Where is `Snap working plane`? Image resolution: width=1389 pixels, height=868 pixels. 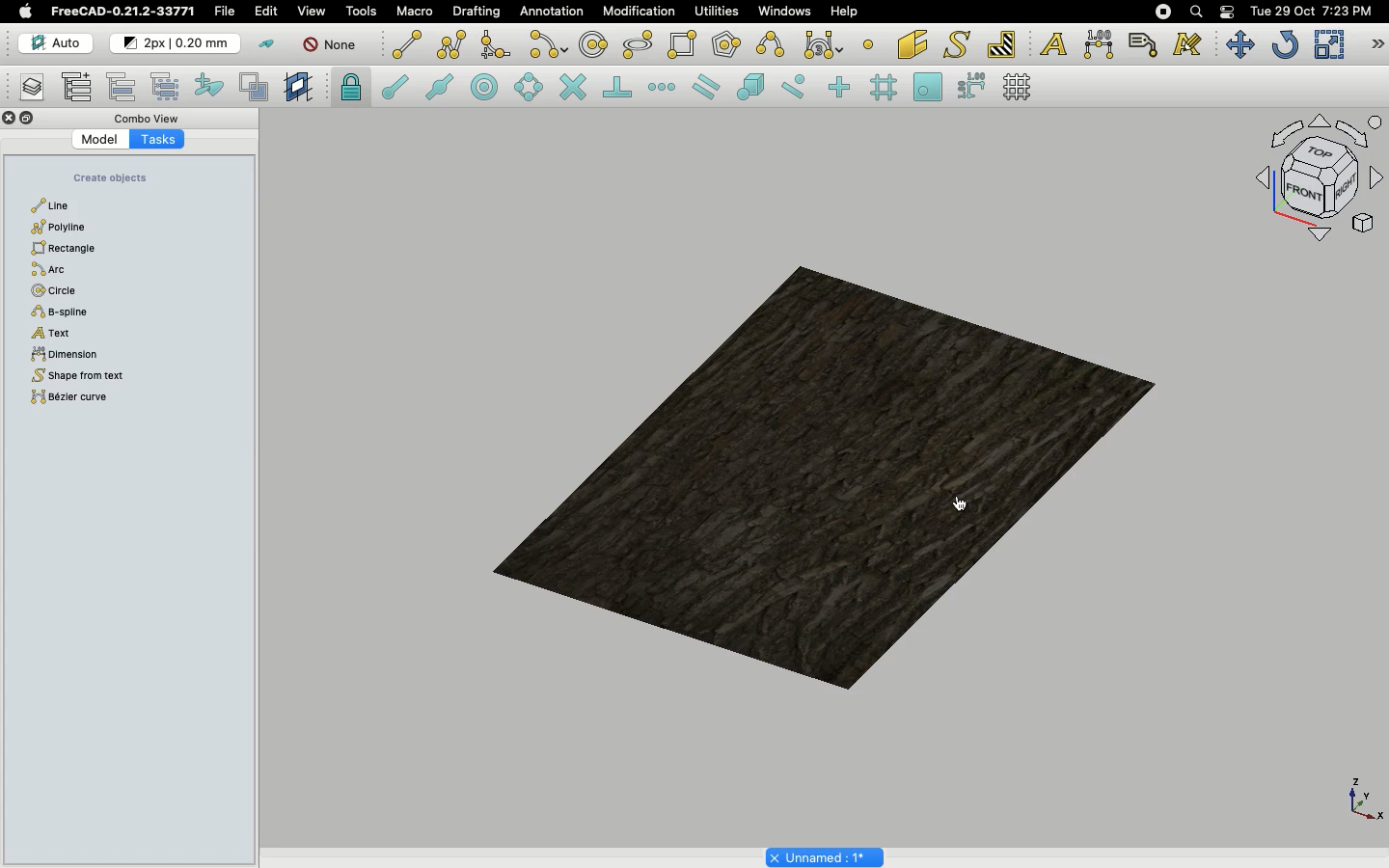
Snap working plane is located at coordinates (925, 84).